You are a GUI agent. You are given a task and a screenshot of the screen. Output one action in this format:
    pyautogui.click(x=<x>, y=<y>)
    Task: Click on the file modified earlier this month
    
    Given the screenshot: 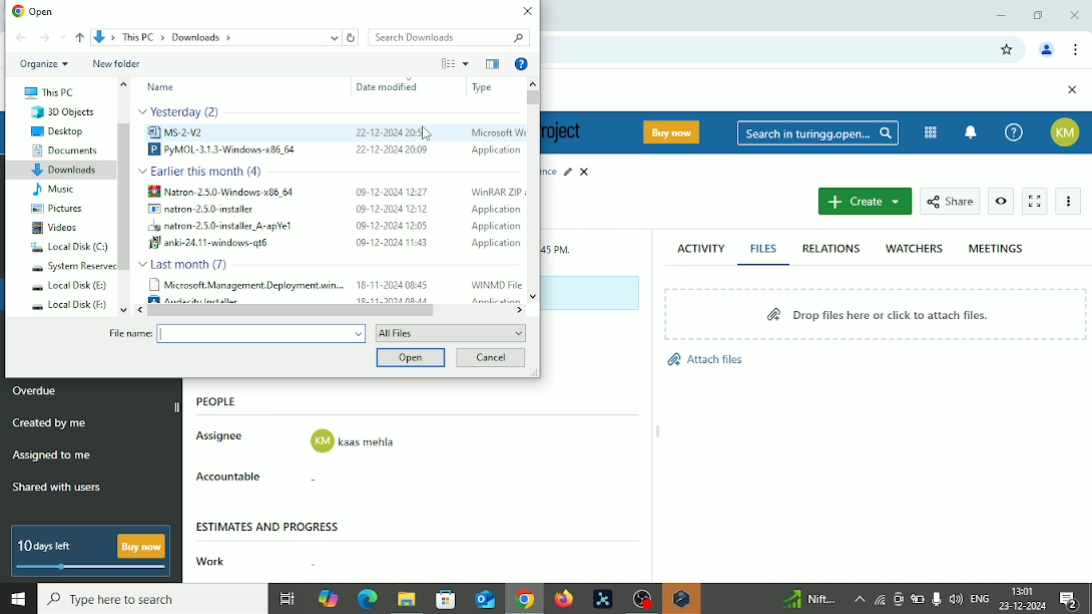 What is the action you would take?
    pyautogui.click(x=209, y=173)
    